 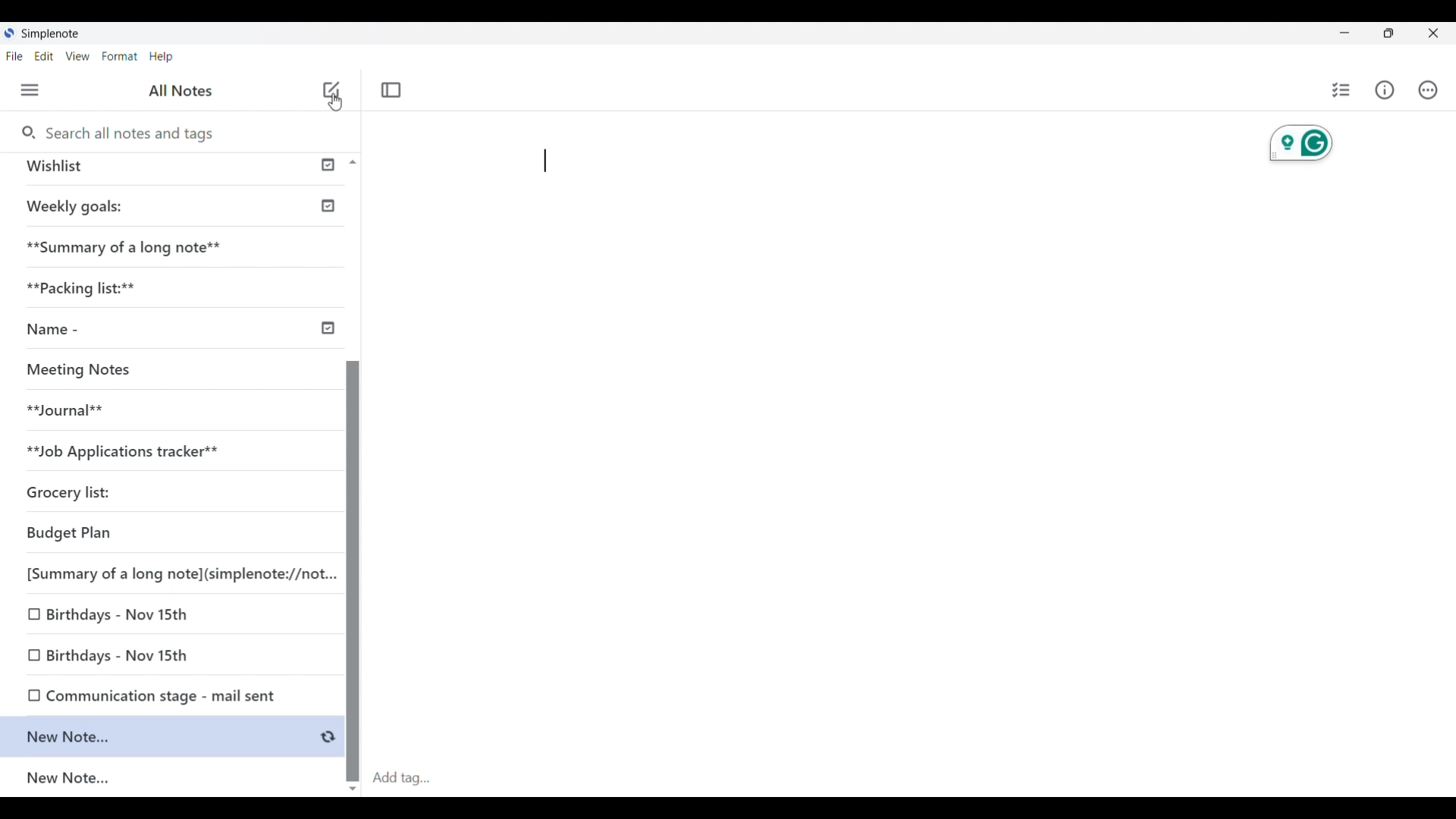 I want to click on checkbox, so click(x=31, y=617).